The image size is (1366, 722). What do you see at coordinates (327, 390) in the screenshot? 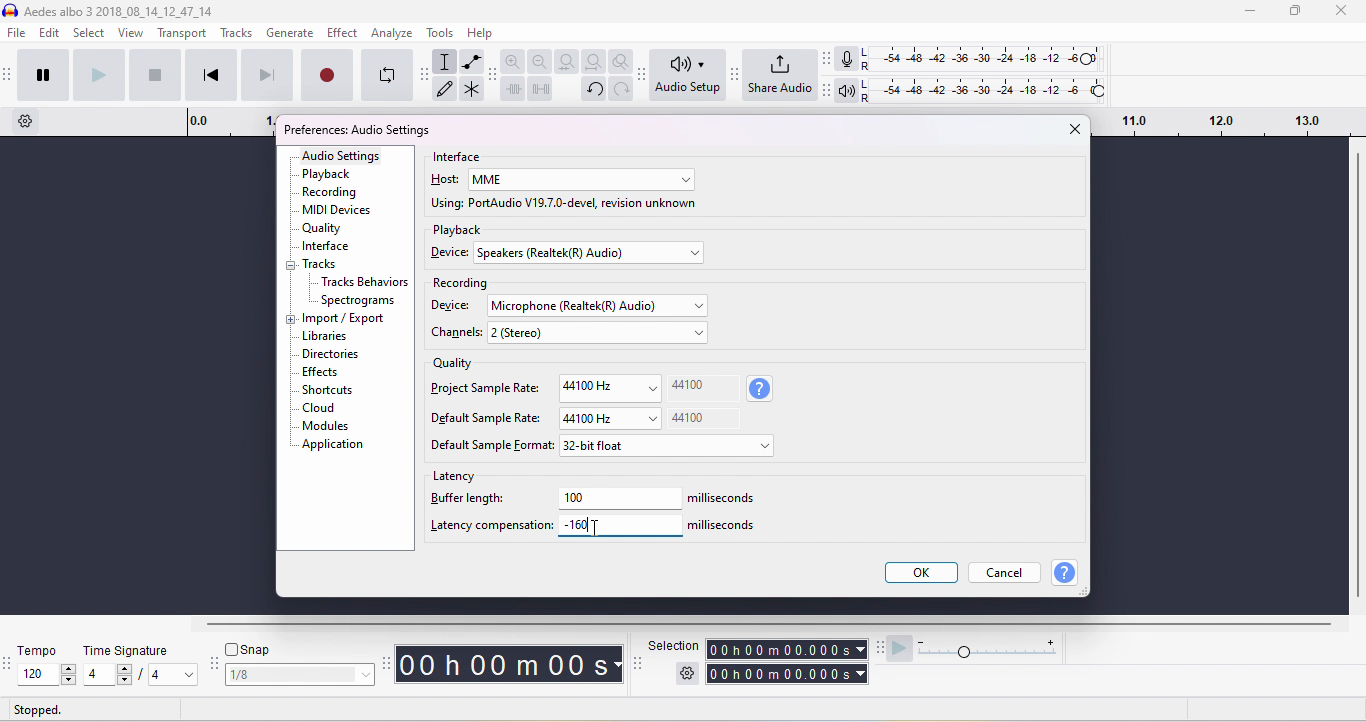
I see `shortcuts` at bounding box center [327, 390].